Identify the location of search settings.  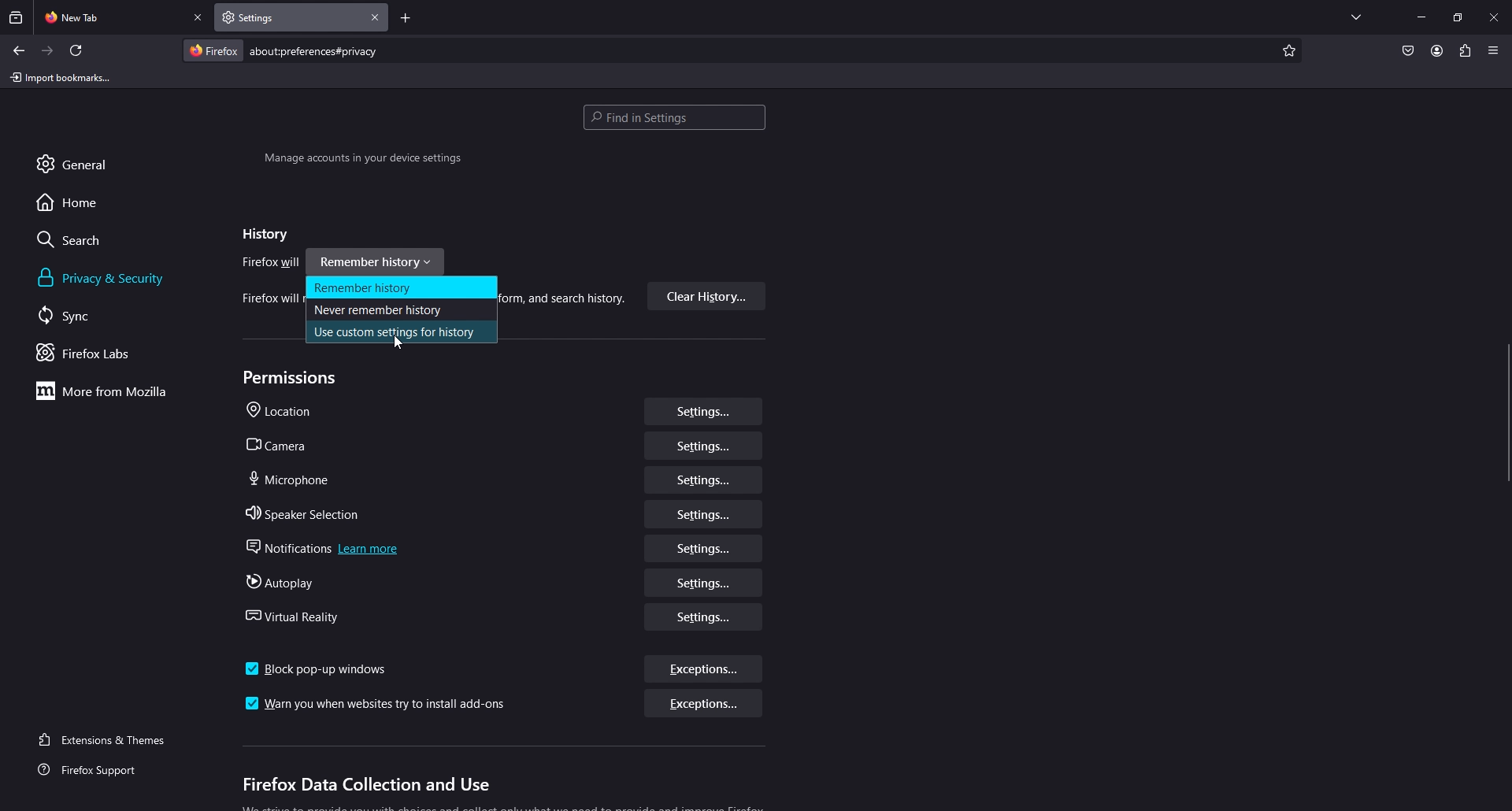
(674, 119).